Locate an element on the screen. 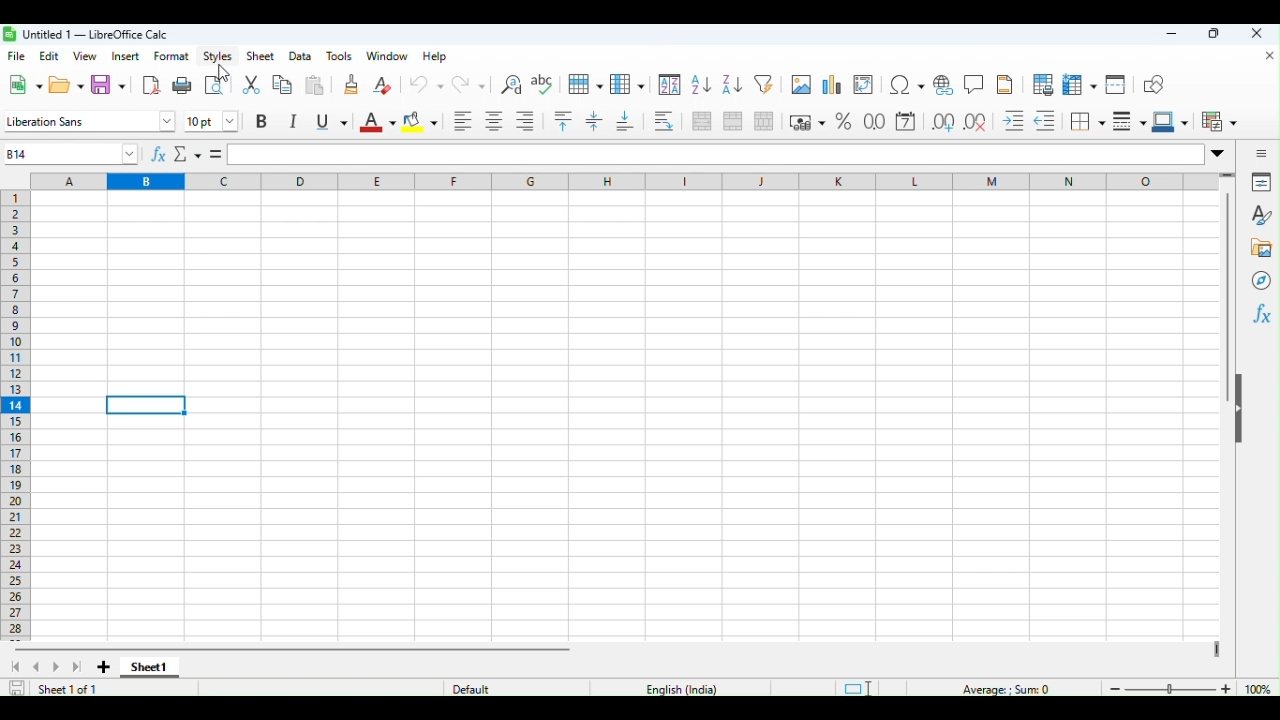 The image size is (1280, 720). Untitled 1 - LibreOffice Calc is located at coordinates (86, 33).